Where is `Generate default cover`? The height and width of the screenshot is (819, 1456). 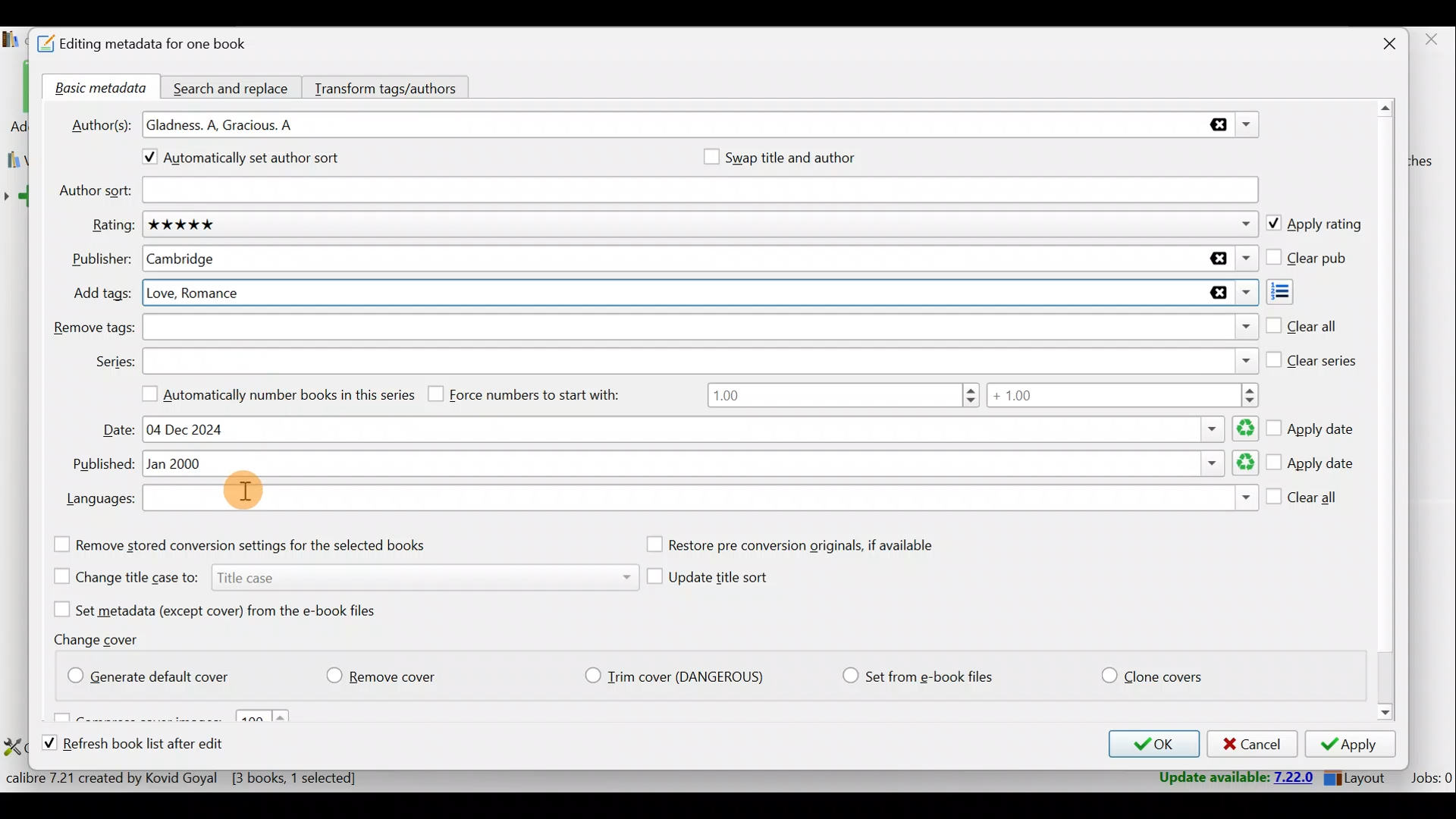 Generate default cover is located at coordinates (156, 673).